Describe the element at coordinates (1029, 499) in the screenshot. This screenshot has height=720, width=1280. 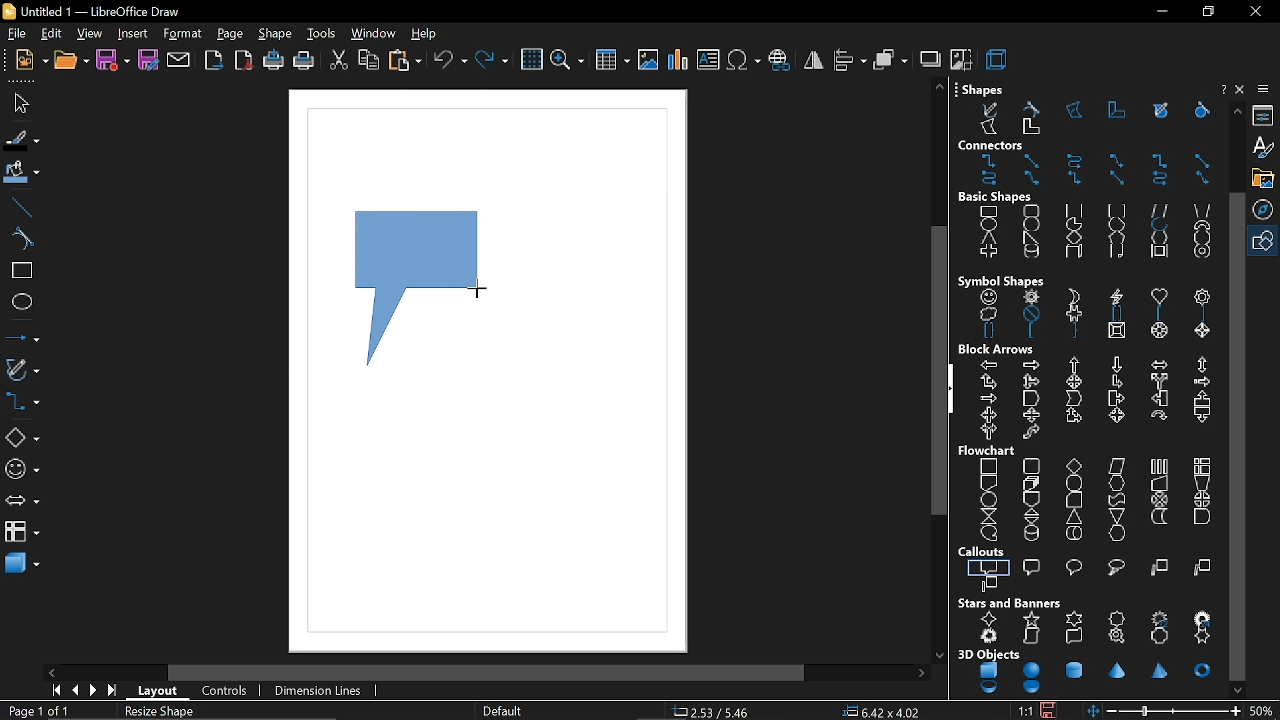
I see `off page connector` at that location.